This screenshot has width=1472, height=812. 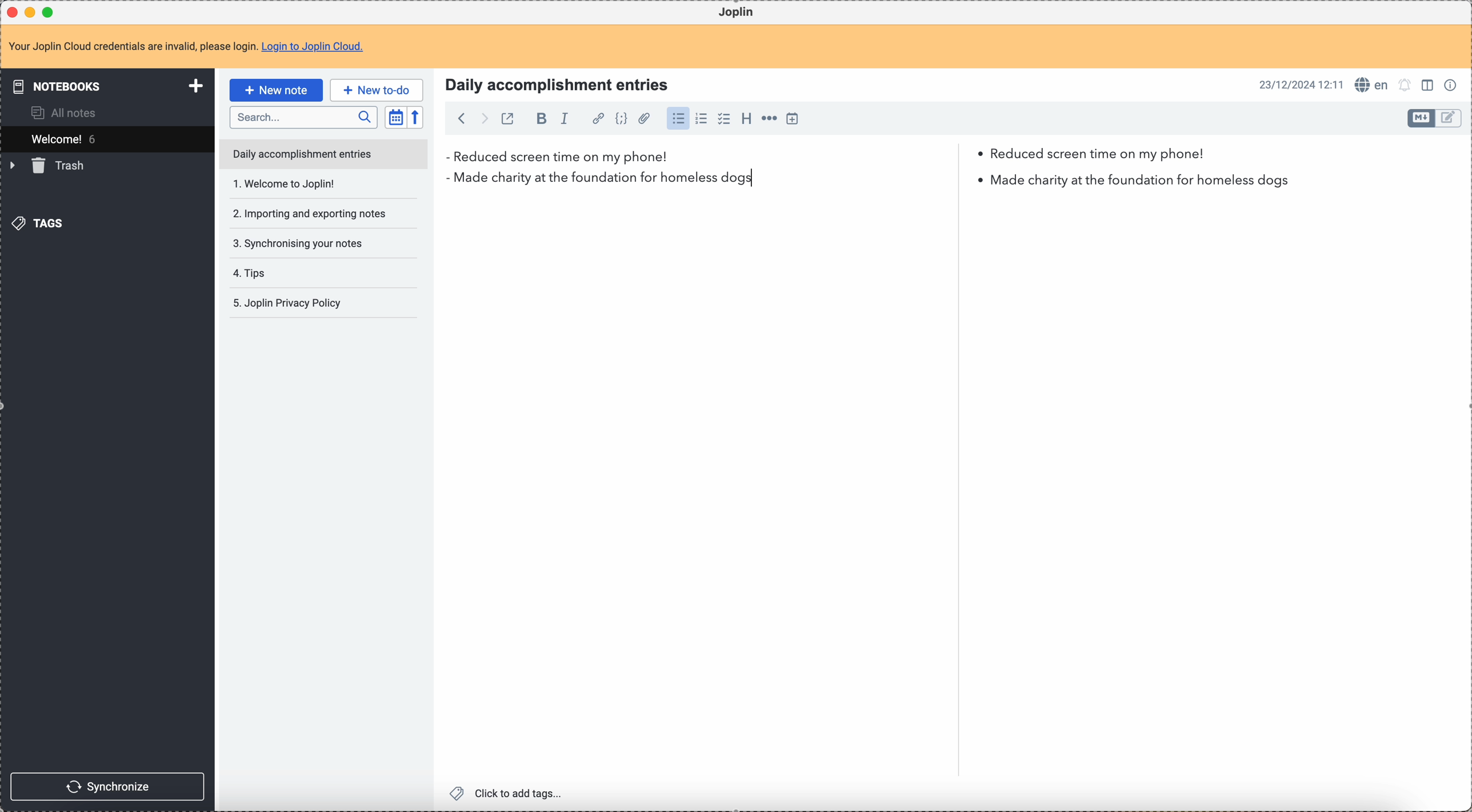 What do you see at coordinates (725, 119) in the screenshot?
I see `checkbox` at bounding box center [725, 119].